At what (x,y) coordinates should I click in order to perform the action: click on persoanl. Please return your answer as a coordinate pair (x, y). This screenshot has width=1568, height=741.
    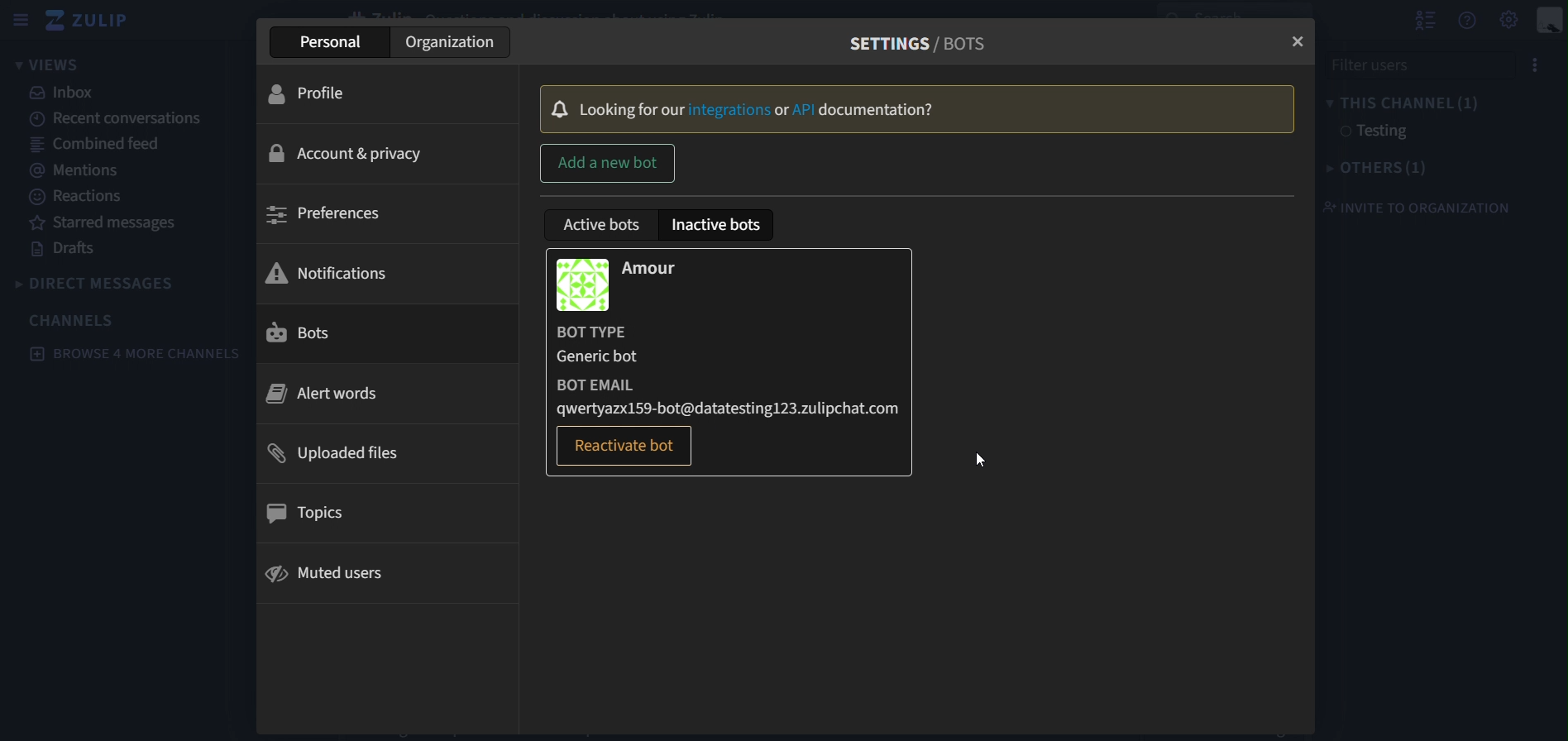
    Looking at the image, I should click on (342, 41).